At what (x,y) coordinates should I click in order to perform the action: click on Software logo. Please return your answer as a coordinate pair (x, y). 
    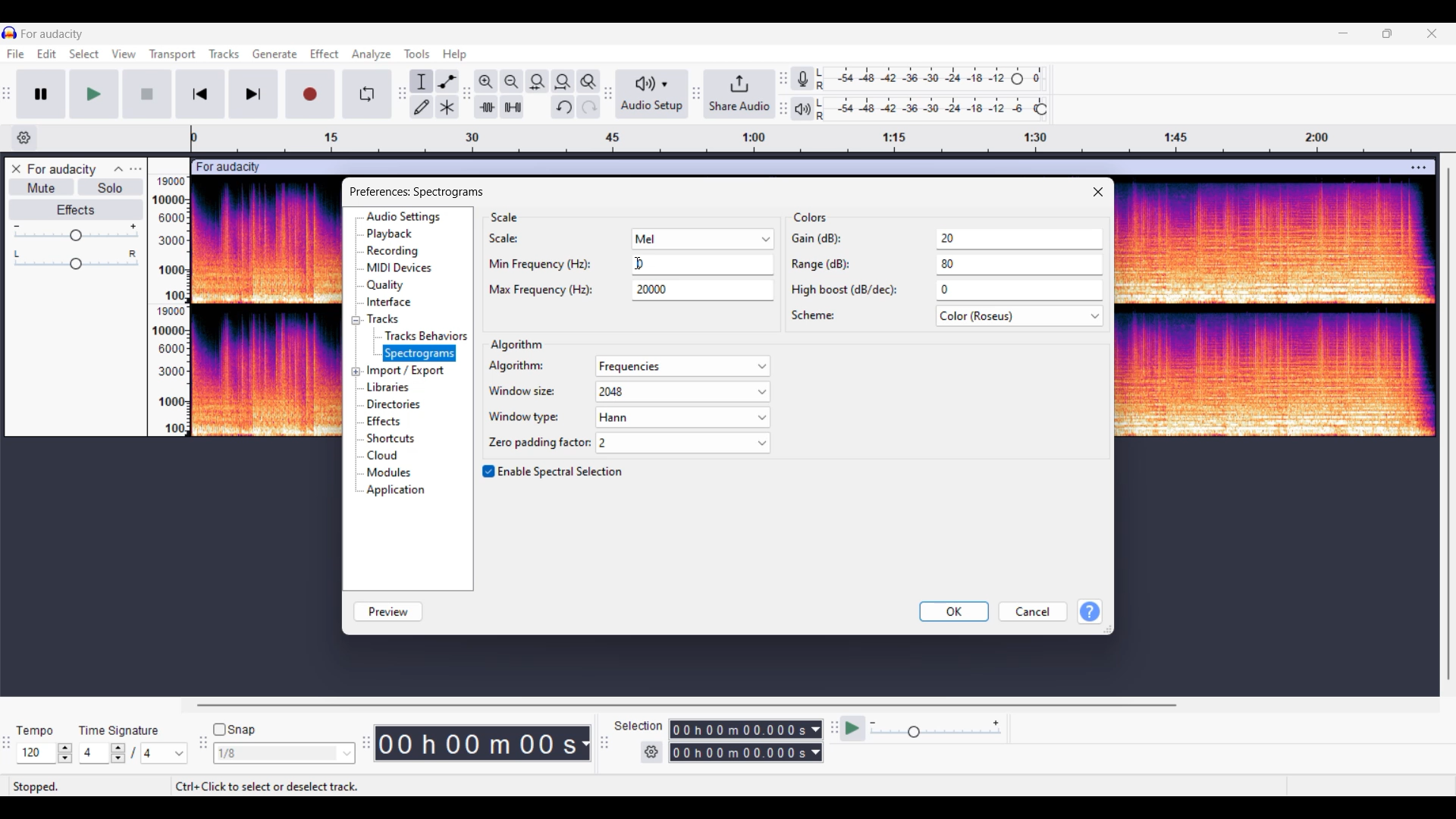
    Looking at the image, I should click on (10, 33).